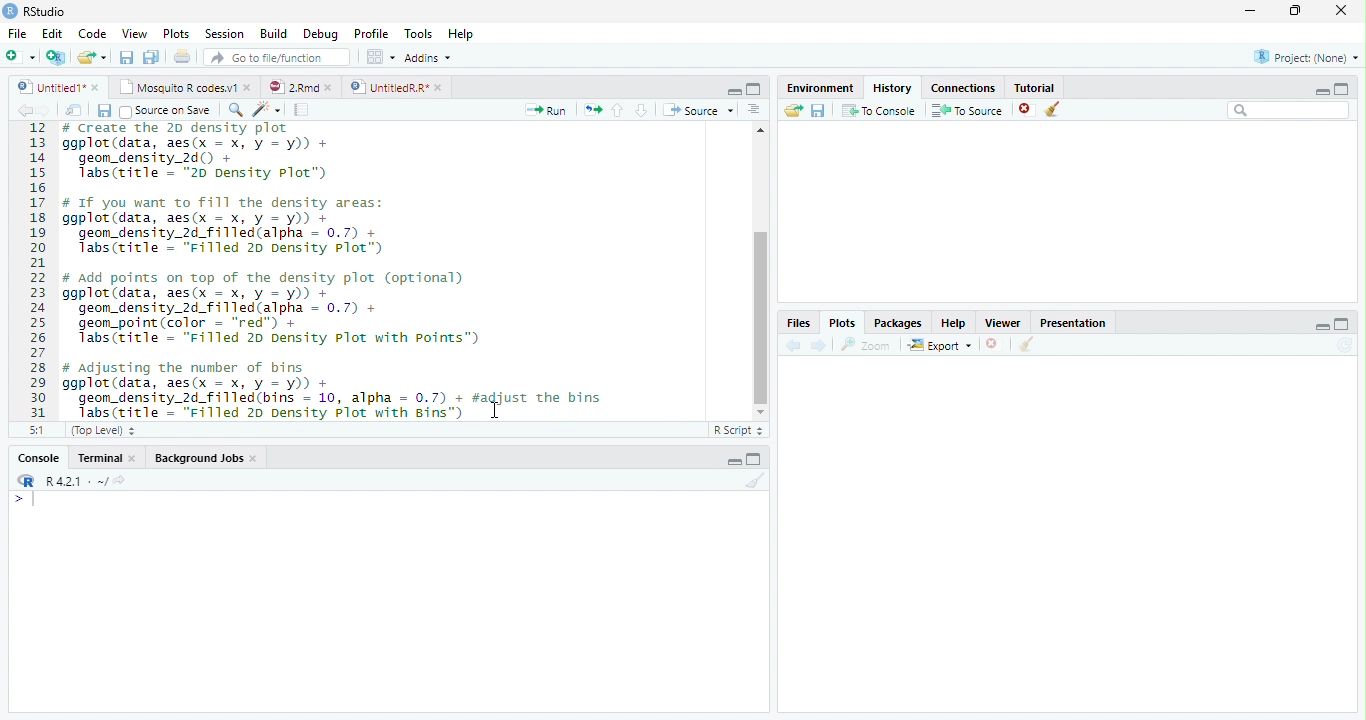 The height and width of the screenshot is (720, 1366). Describe the element at coordinates (641, 110) in the screenshot. I see `down` at that location.